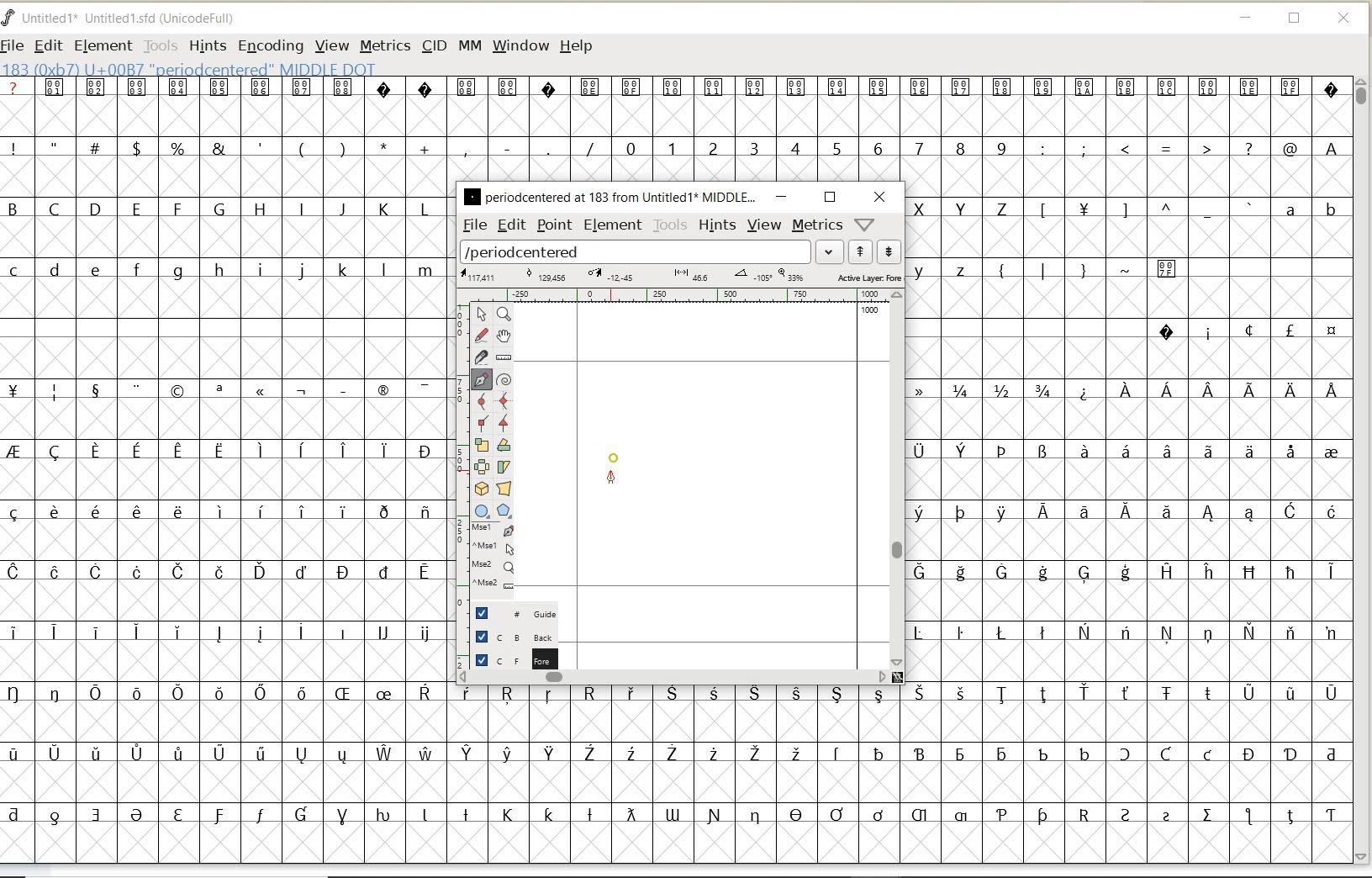 The width and height of the screenshot is (1372, 878). Describe the element at coordinates (506, 511) in the screenshot. I see `polygon or star` at that location.